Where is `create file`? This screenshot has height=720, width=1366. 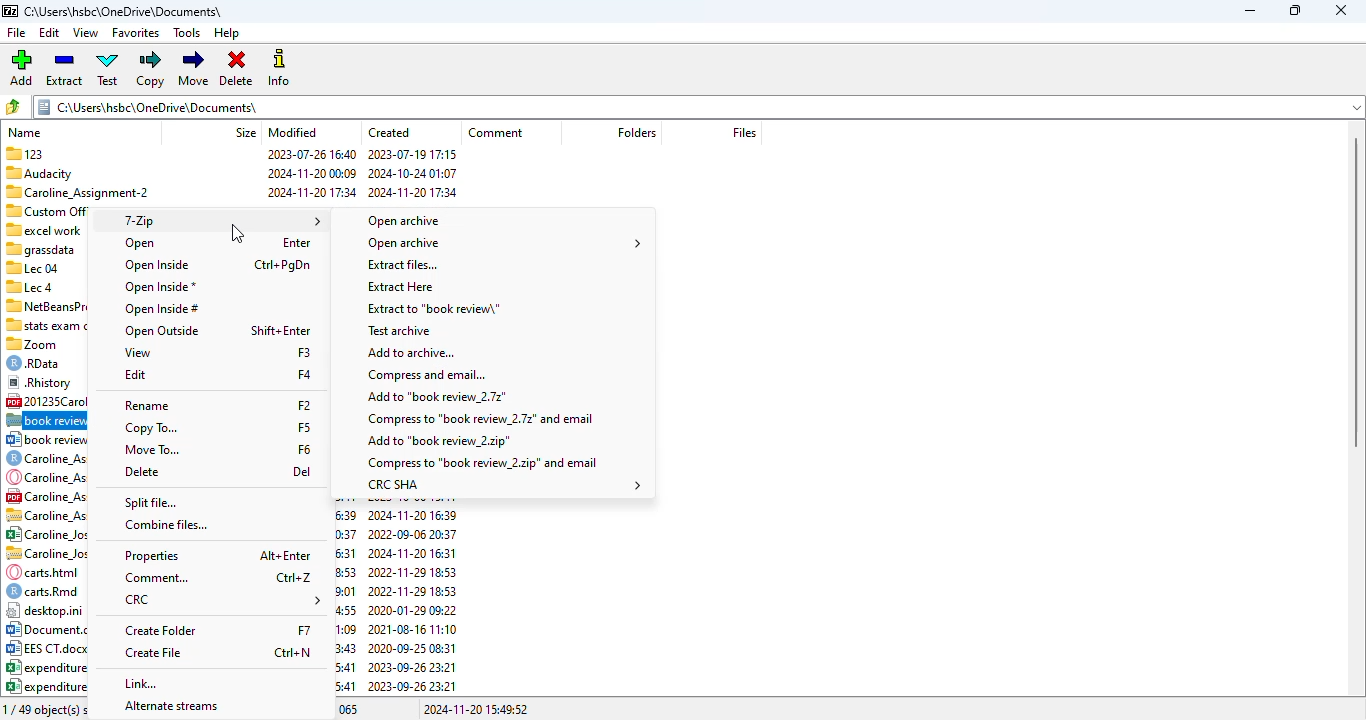
create file is located at coordinates (154, 653).